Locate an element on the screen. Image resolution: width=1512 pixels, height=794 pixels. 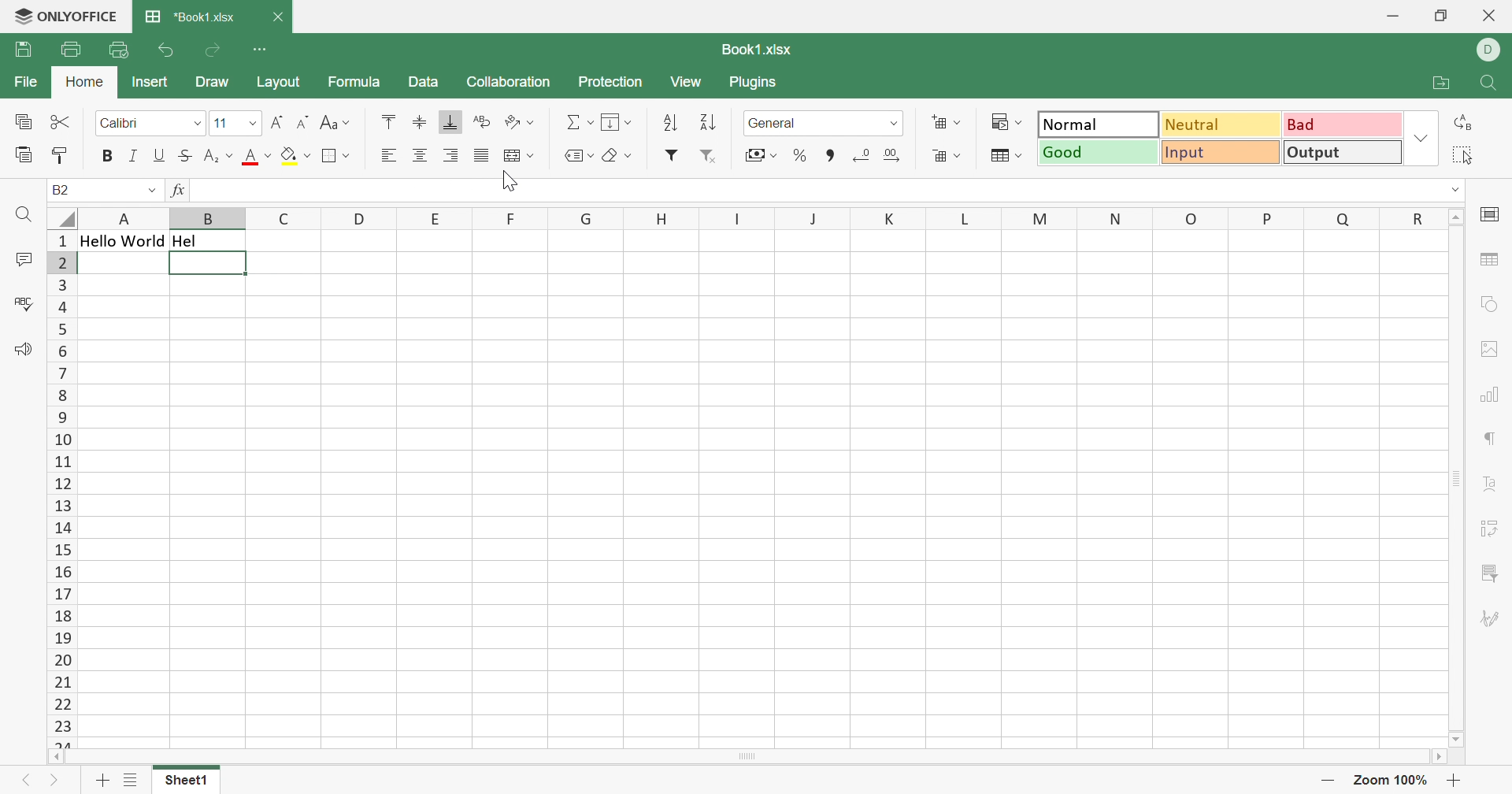
Merged center is located at coordinates (519, 154).